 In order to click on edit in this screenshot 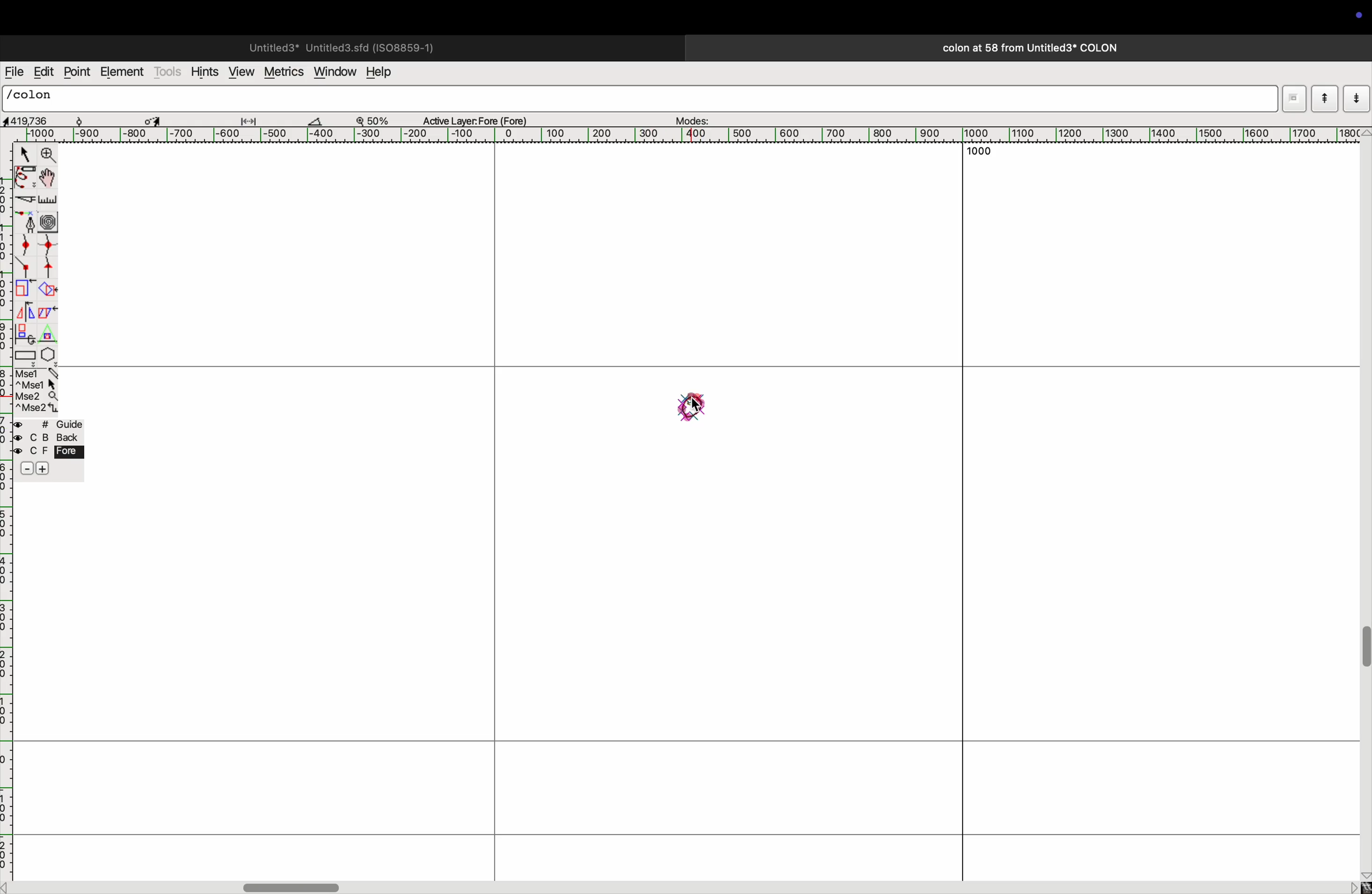, I will do `click(43, 72)`.